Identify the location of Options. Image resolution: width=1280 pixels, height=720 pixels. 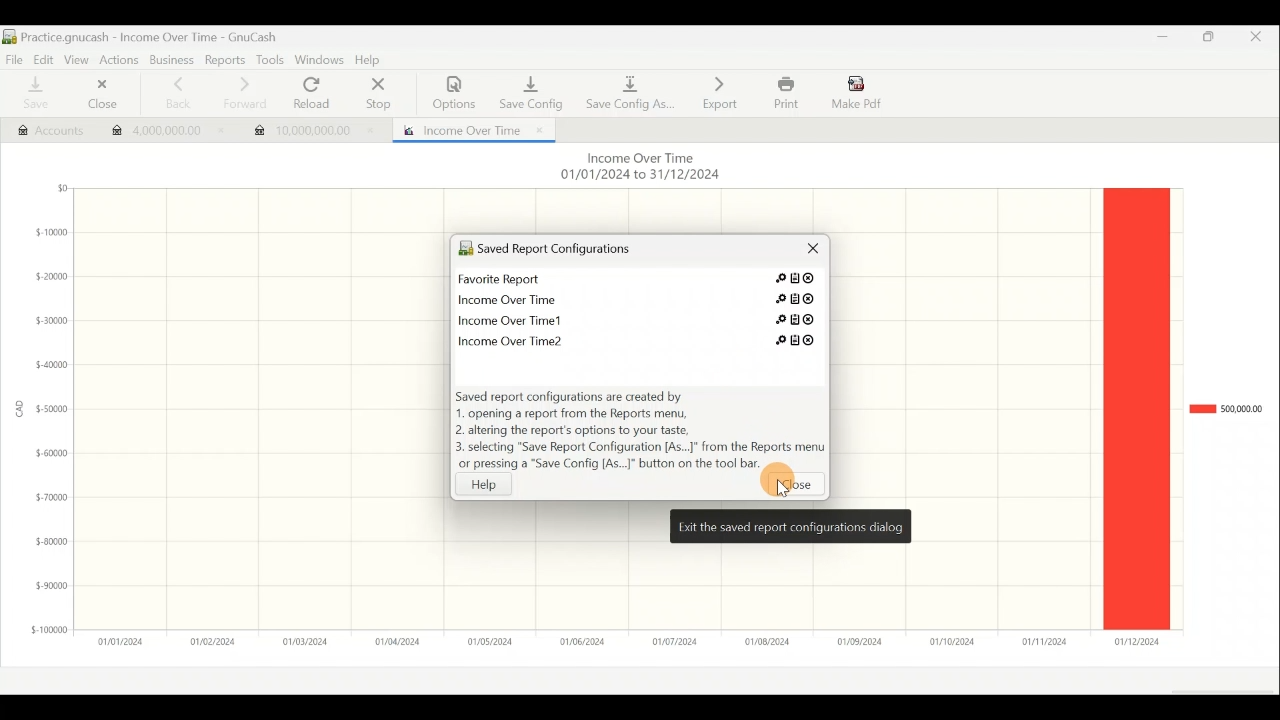
(455, 93).